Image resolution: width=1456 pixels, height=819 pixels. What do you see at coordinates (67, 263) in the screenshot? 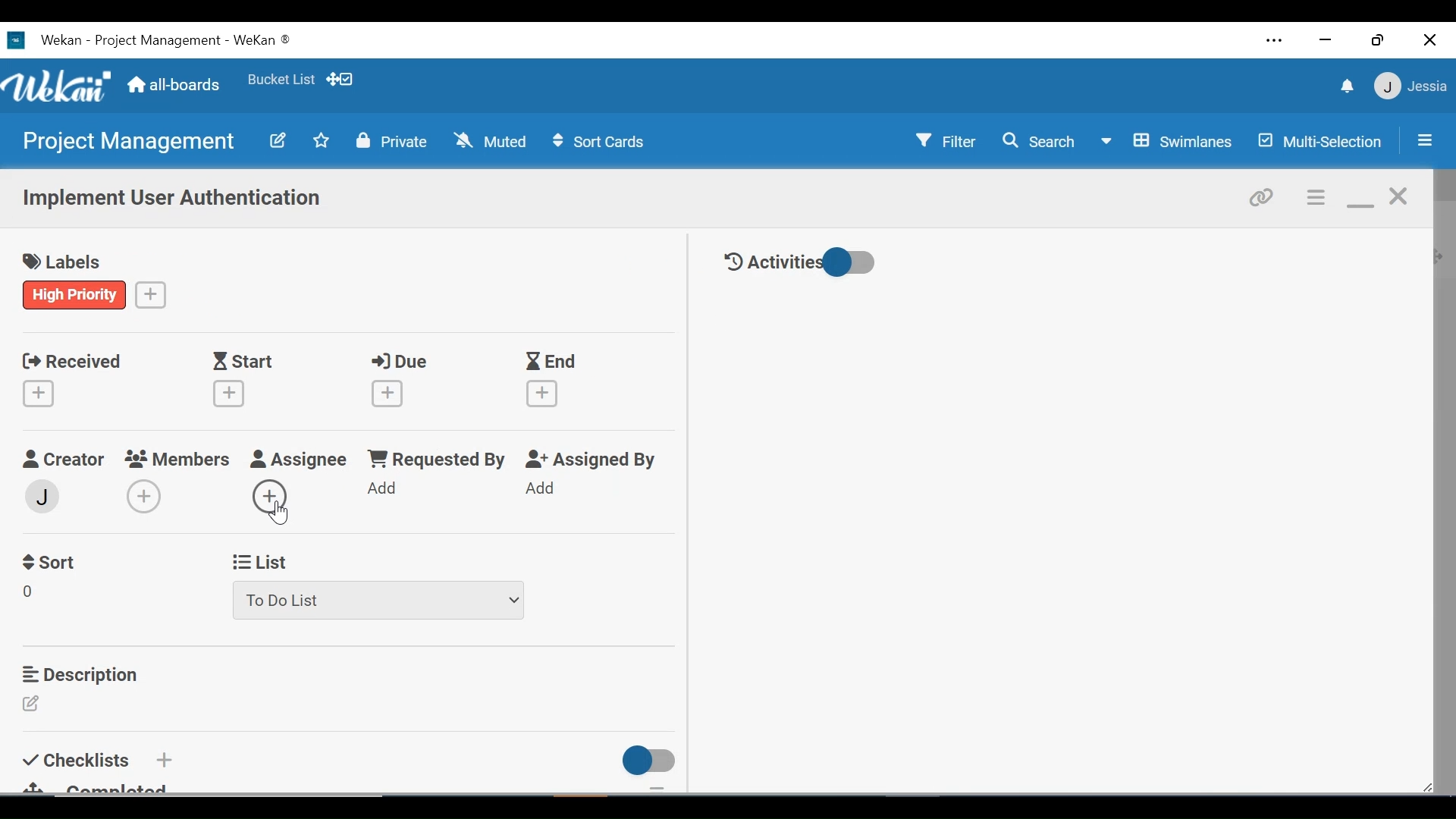
I see `labels` at bounding box center [67, 263].